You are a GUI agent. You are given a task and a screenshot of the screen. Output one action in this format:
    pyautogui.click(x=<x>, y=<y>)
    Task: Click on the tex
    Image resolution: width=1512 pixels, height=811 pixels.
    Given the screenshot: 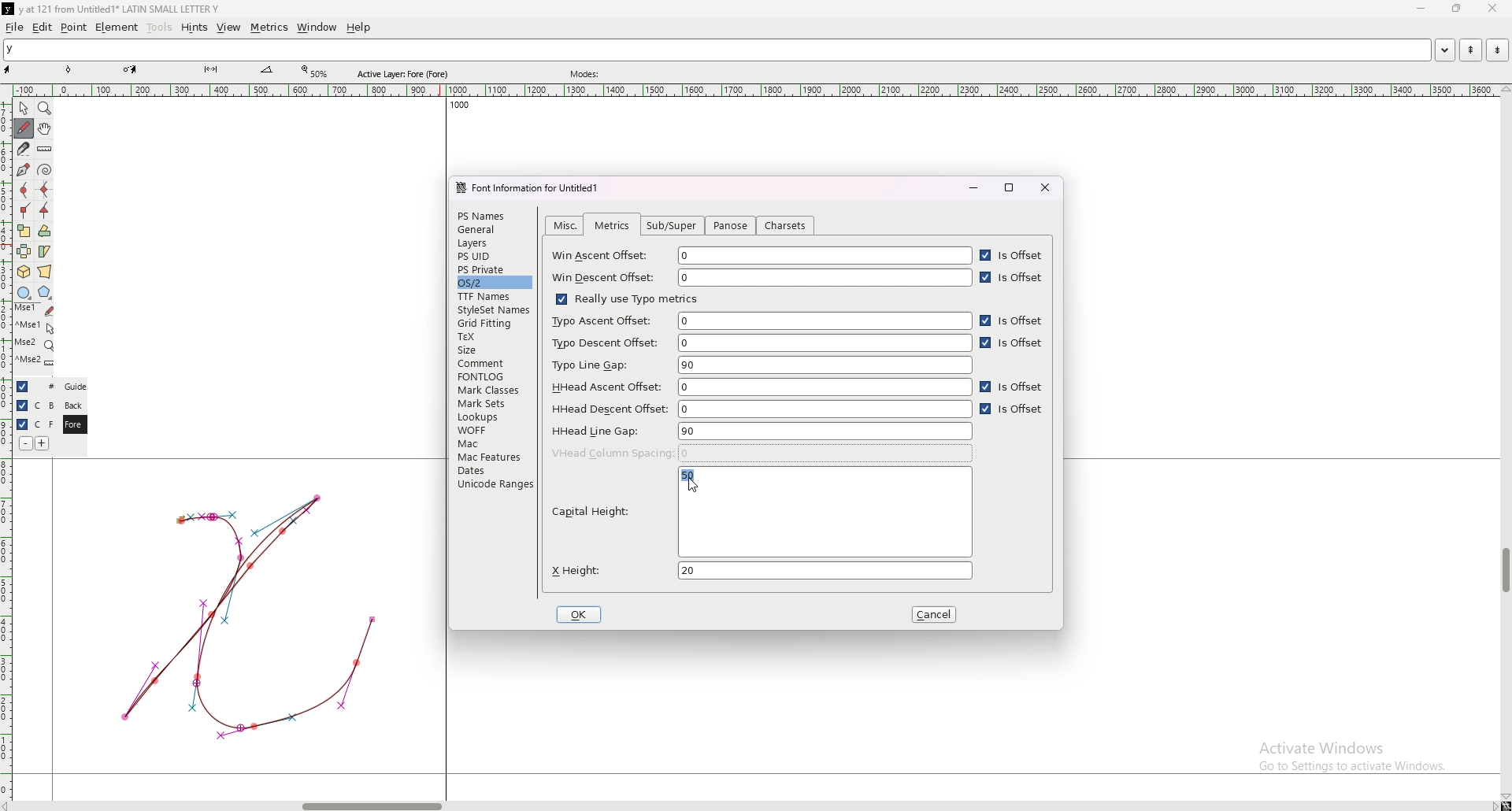 What is the action you would take?
    pyautogui.click(x=493, y=337)
    